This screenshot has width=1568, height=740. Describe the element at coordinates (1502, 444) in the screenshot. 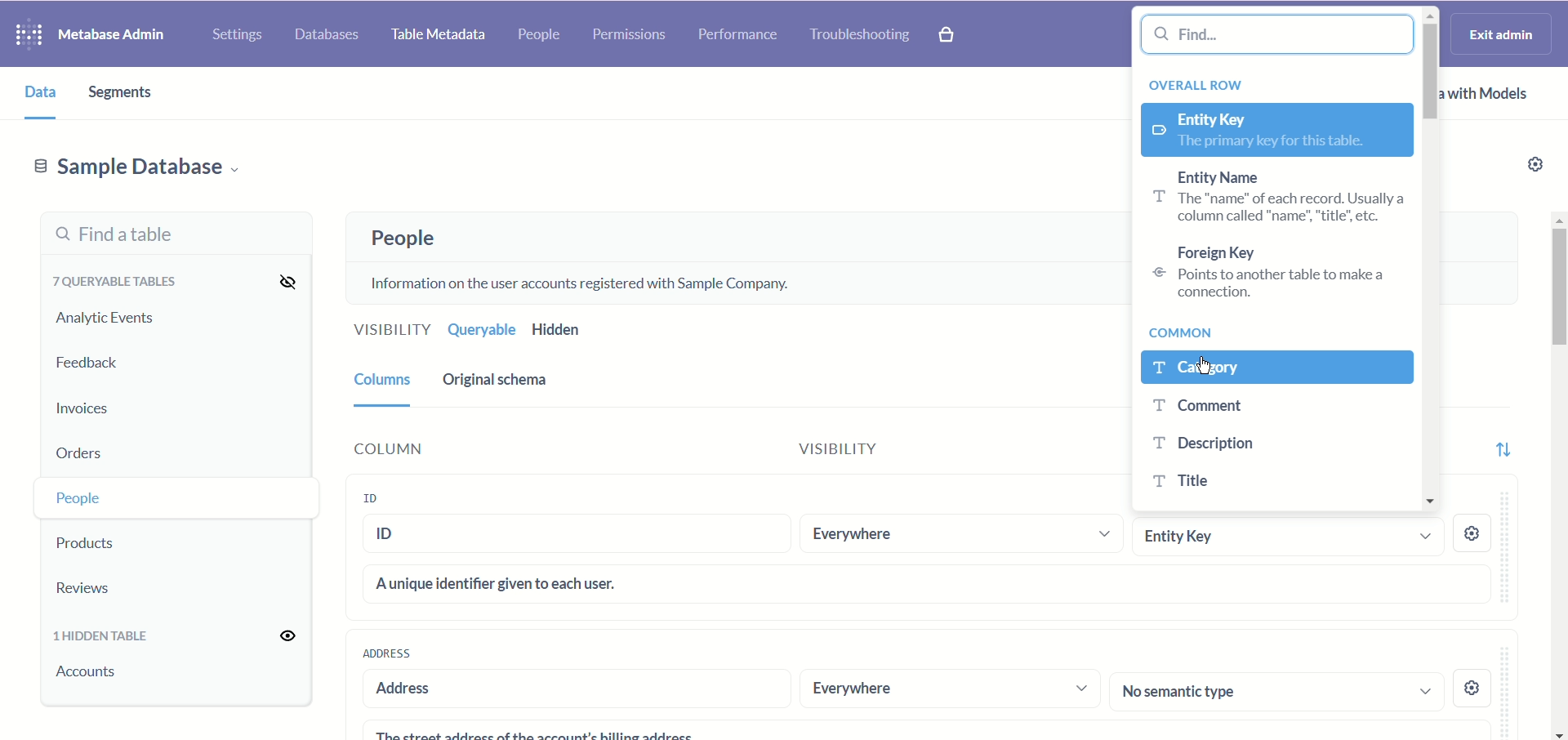

I see `sort` at that location.